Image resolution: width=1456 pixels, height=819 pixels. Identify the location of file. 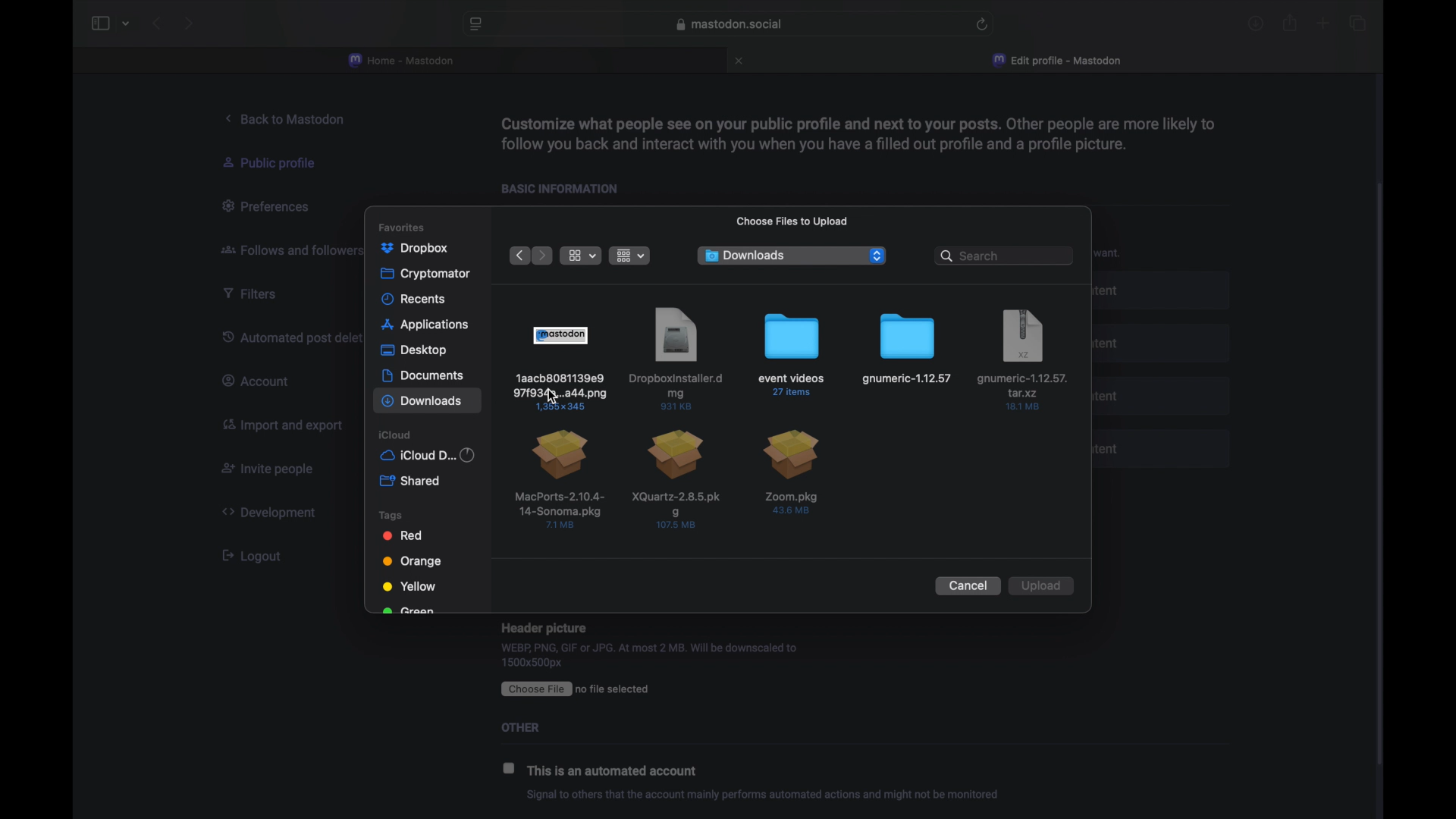
(560, 479).